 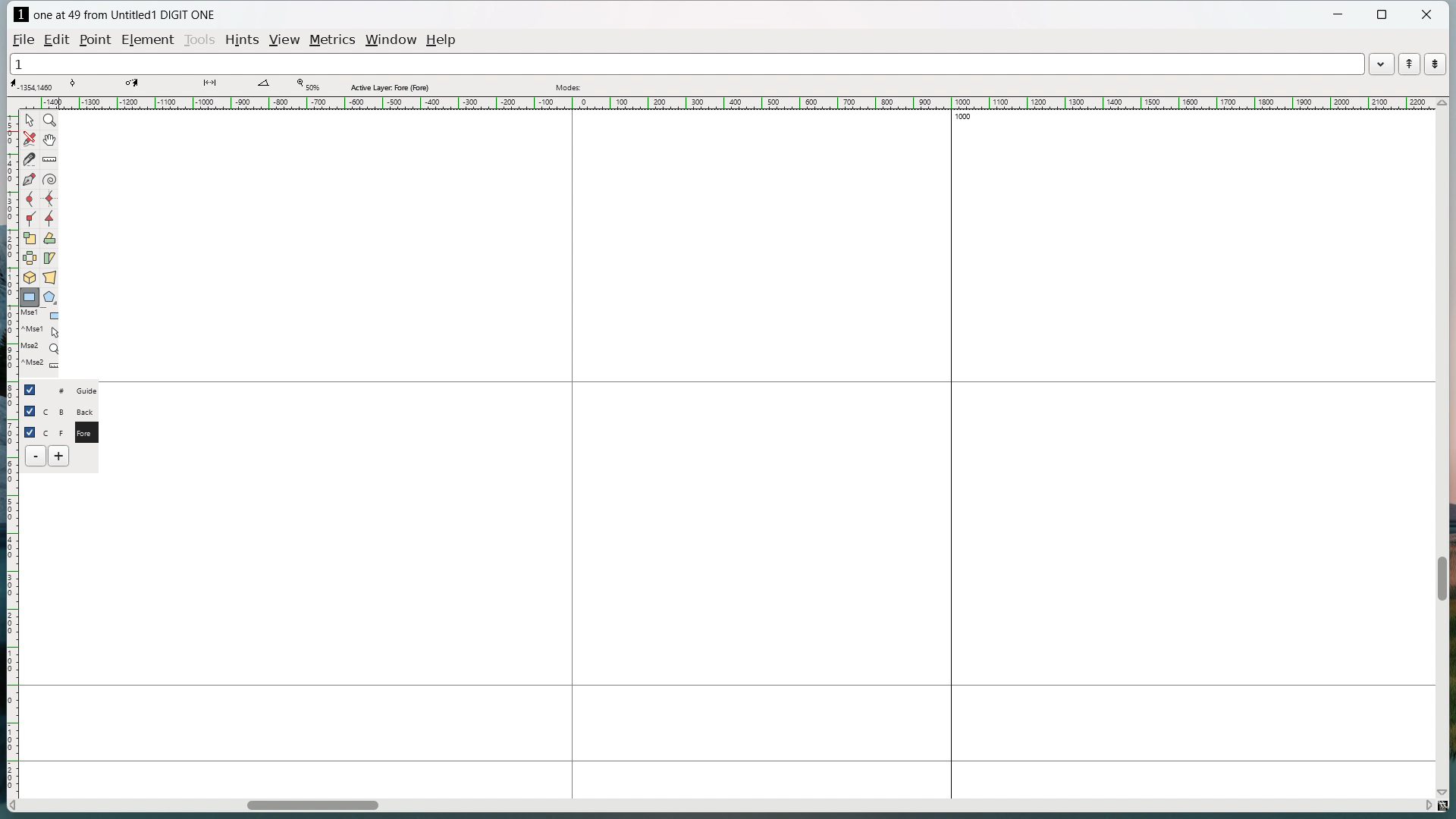 What do you see at coordinates (1382, 63) in the screenshot?
I see `word list` at bounding box center [1382, 63].